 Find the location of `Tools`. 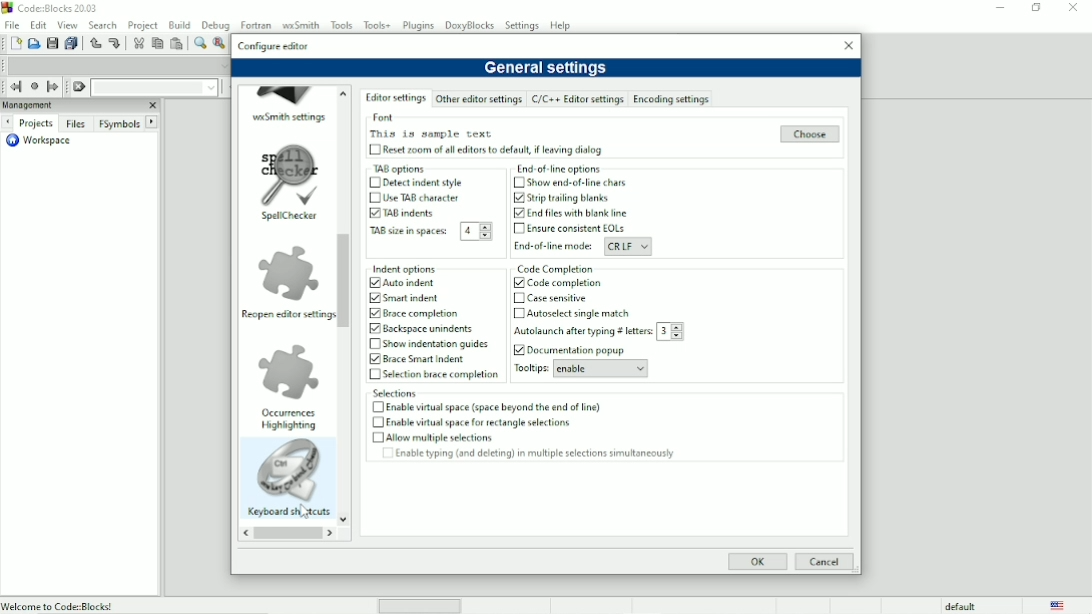

Tools is located at coordinates (341, 24).